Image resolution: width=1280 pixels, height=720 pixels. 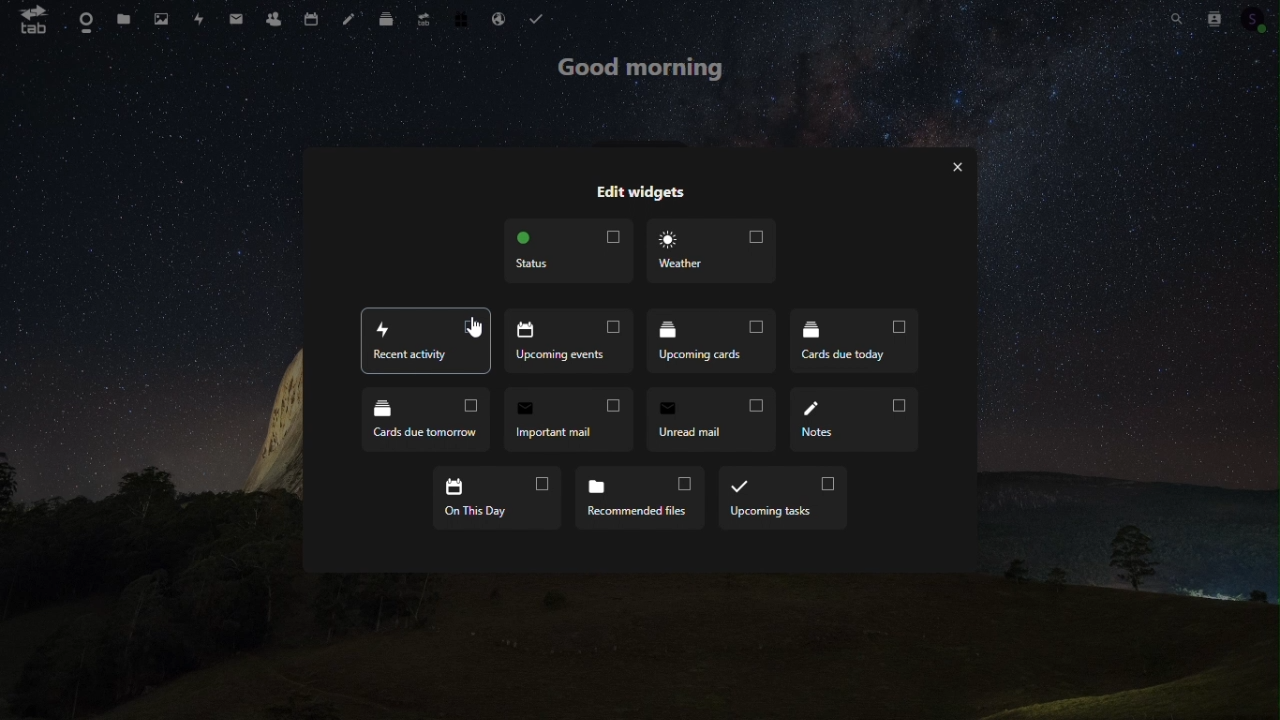 I want to click on unread email, so click(x=707, y=419).